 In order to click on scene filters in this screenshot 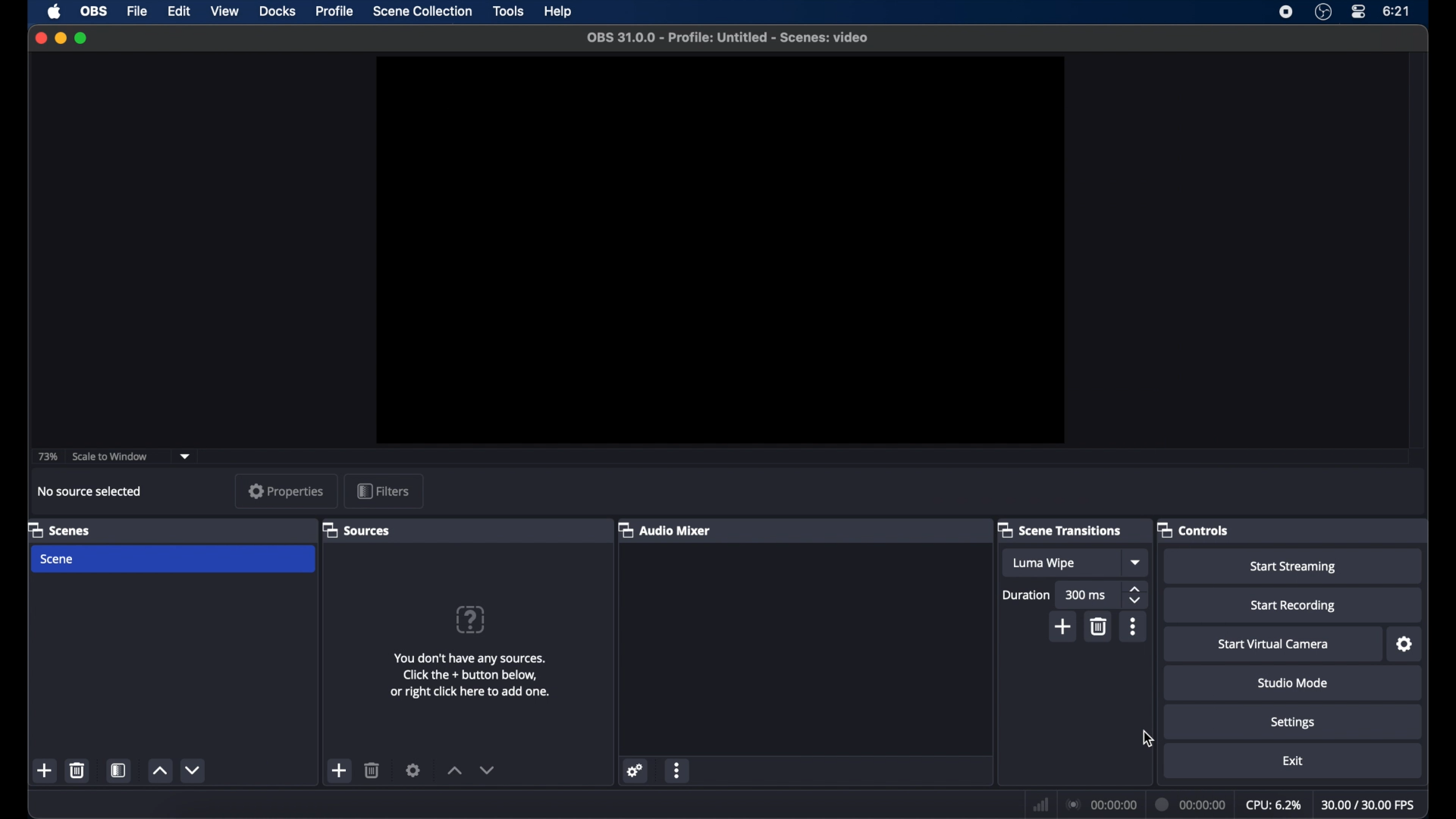, I will do `click(119, 770)`.